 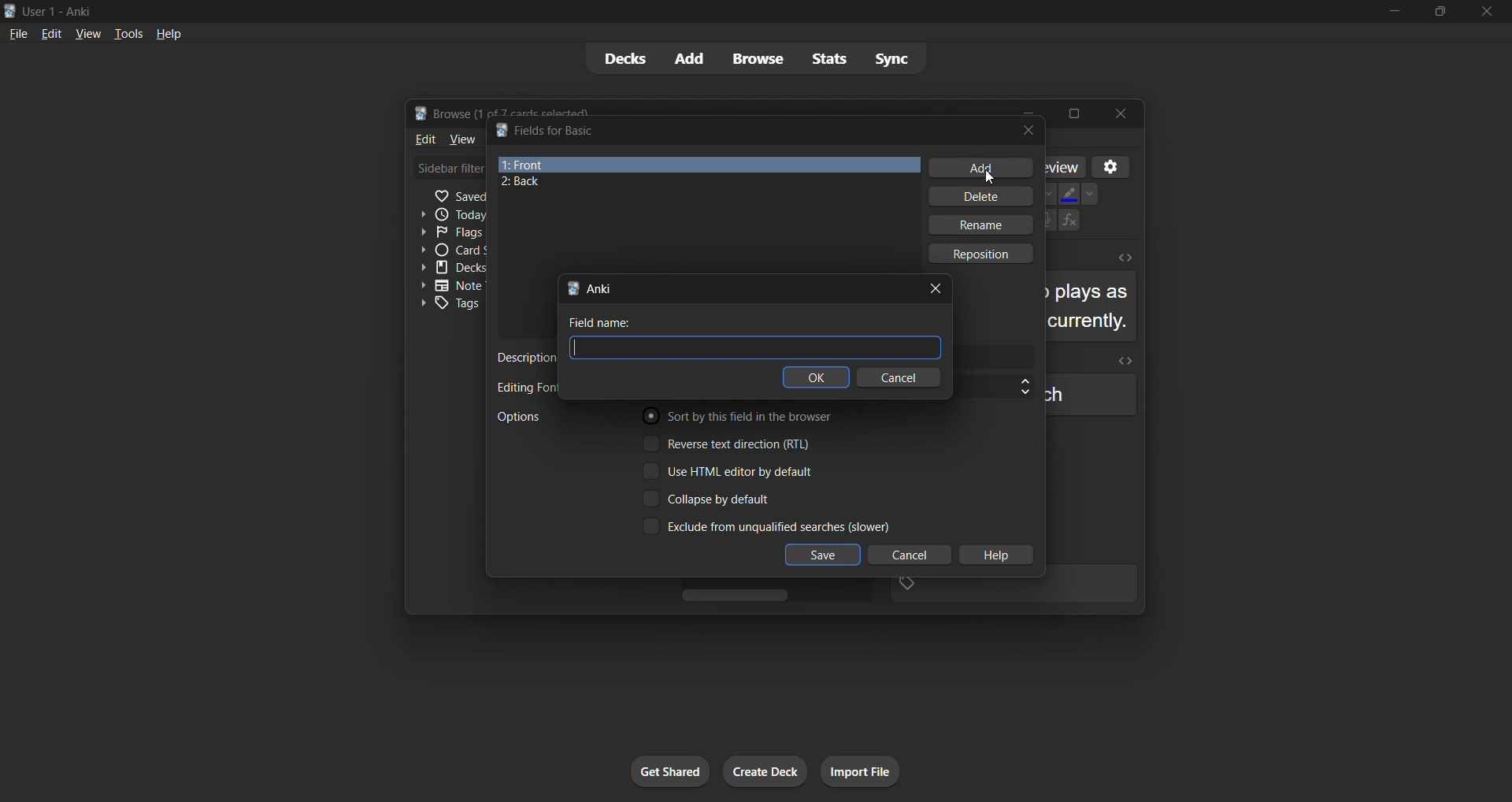 I want to click on add field, so click(x=979, y=167).